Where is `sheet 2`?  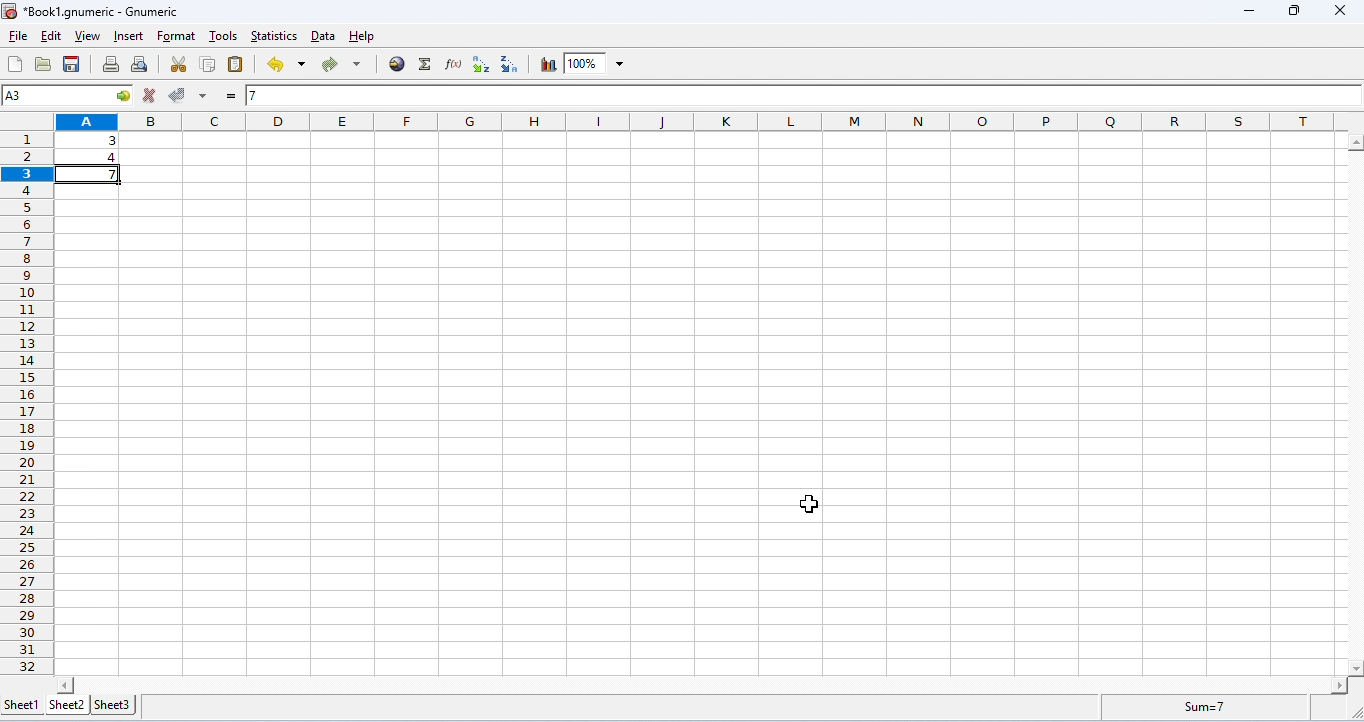
sheet 2 is located at coordinates (66, 705).